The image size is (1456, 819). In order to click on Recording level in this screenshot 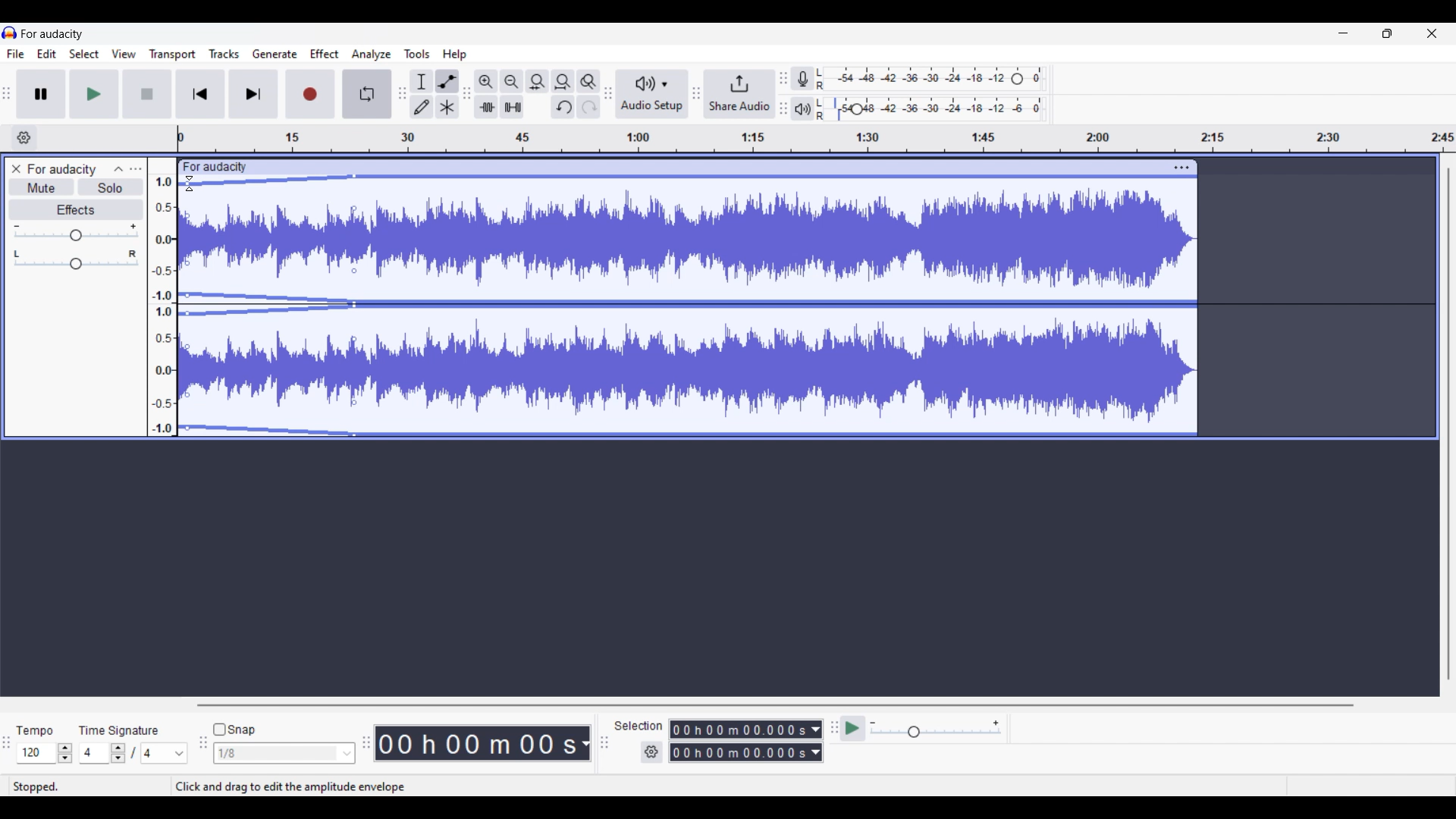, I will do `click(930, 79)`.